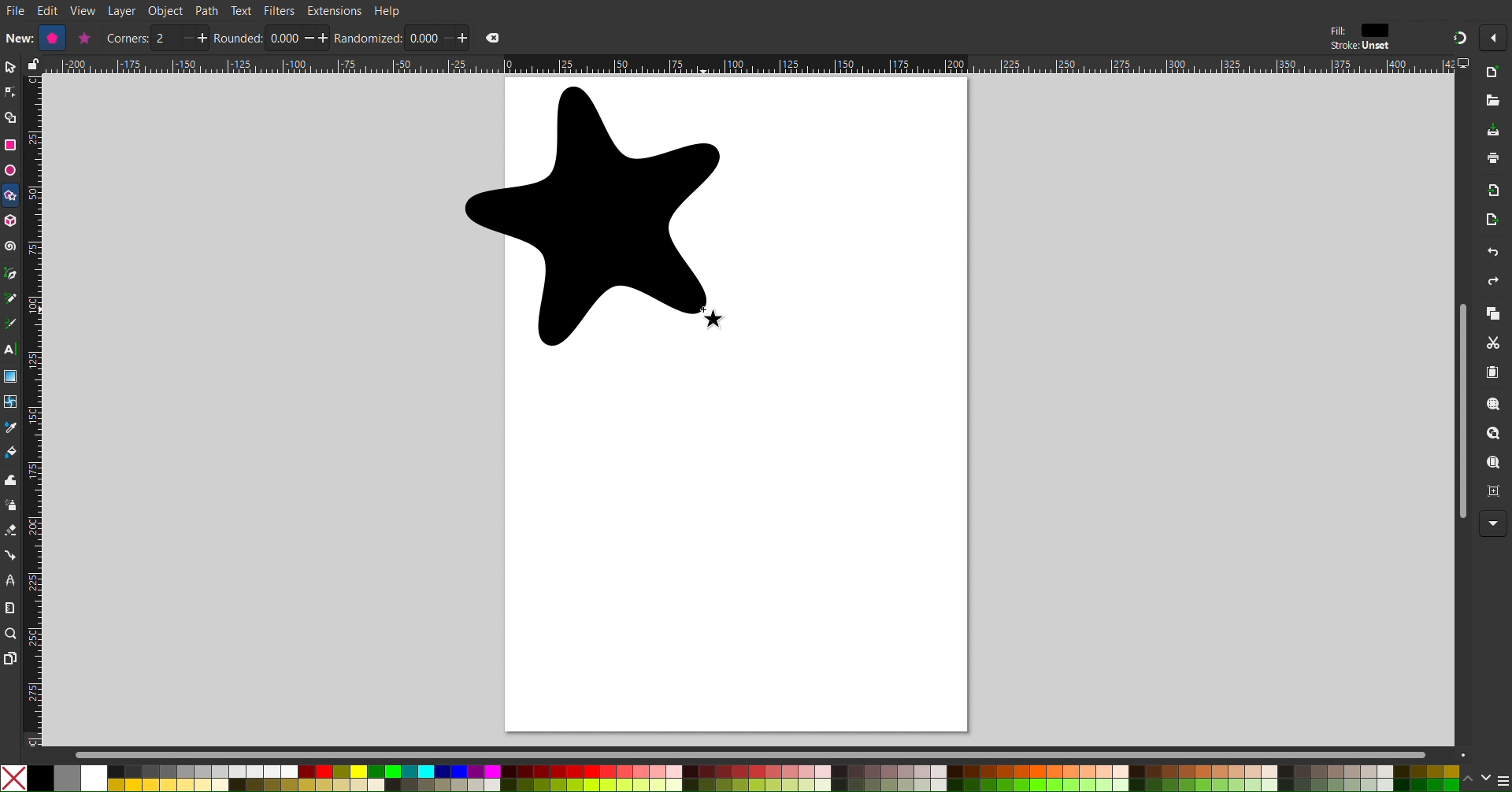  I want to click on Close, so click(493, 38).